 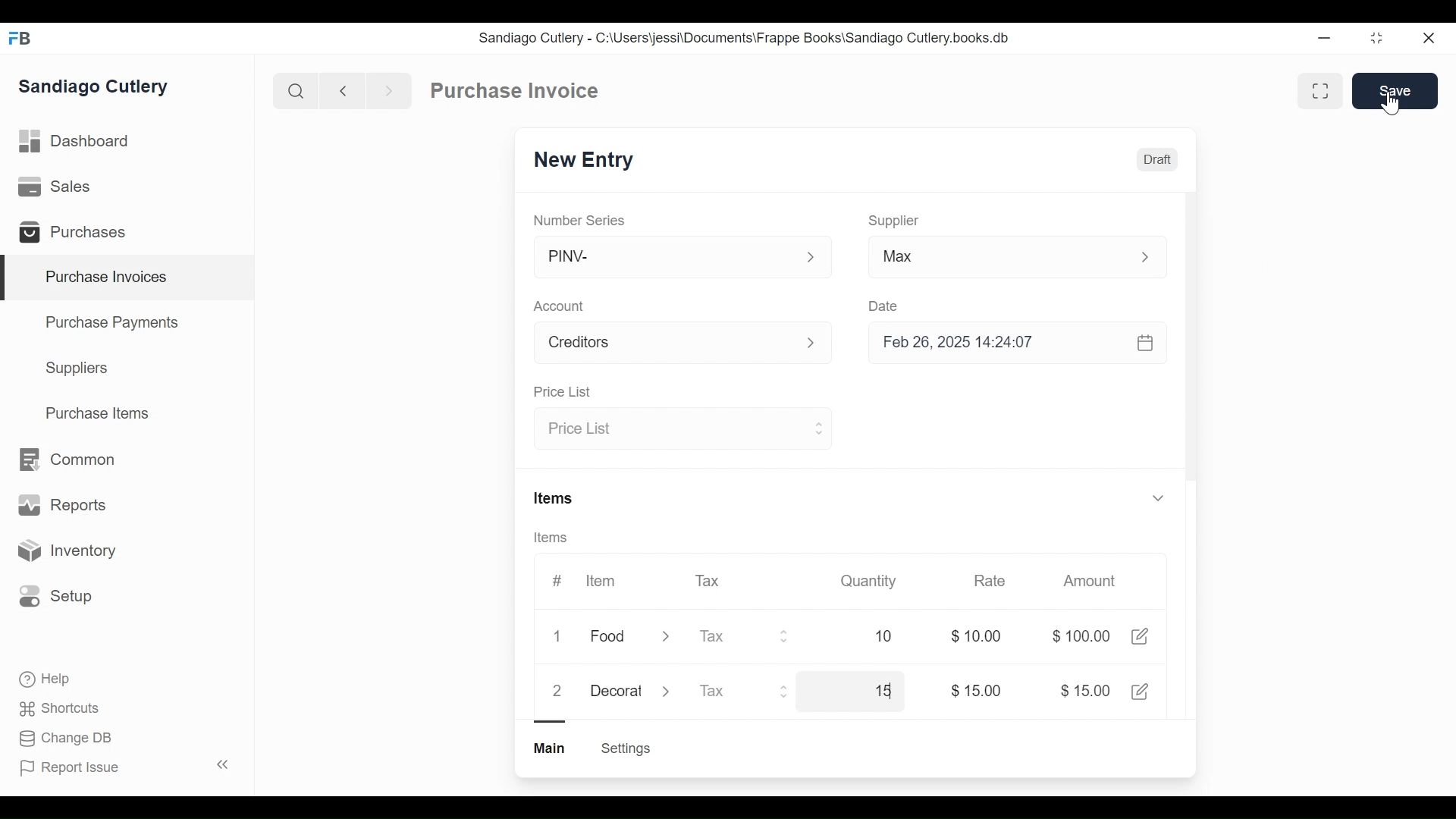 I want to click on PINV-, so click(x=664, y=257).